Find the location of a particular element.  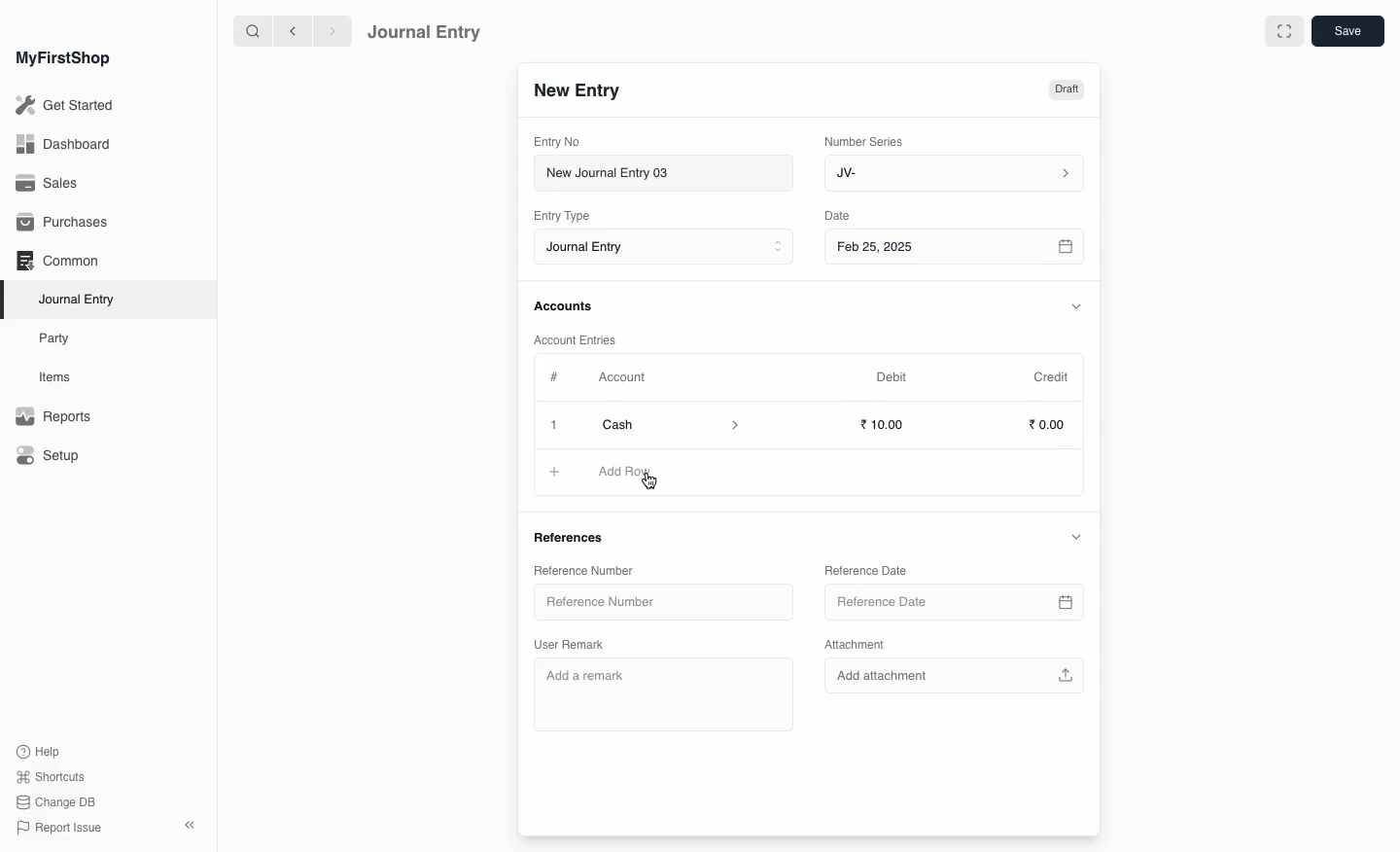

Dashboard is located at coordinates (62, 143).